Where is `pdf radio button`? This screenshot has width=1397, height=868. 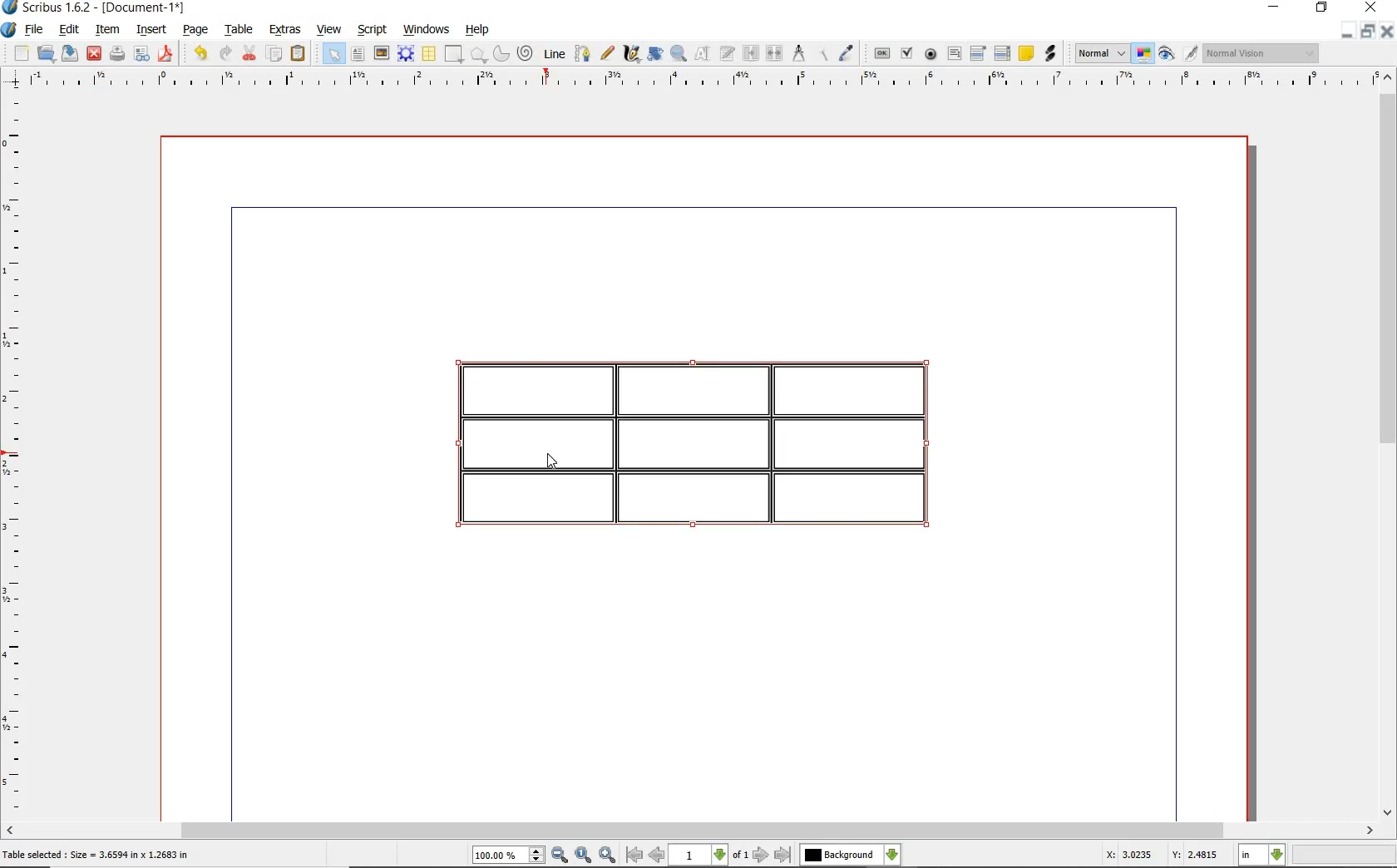 pdf radio button is located at coordinates (931, 55).